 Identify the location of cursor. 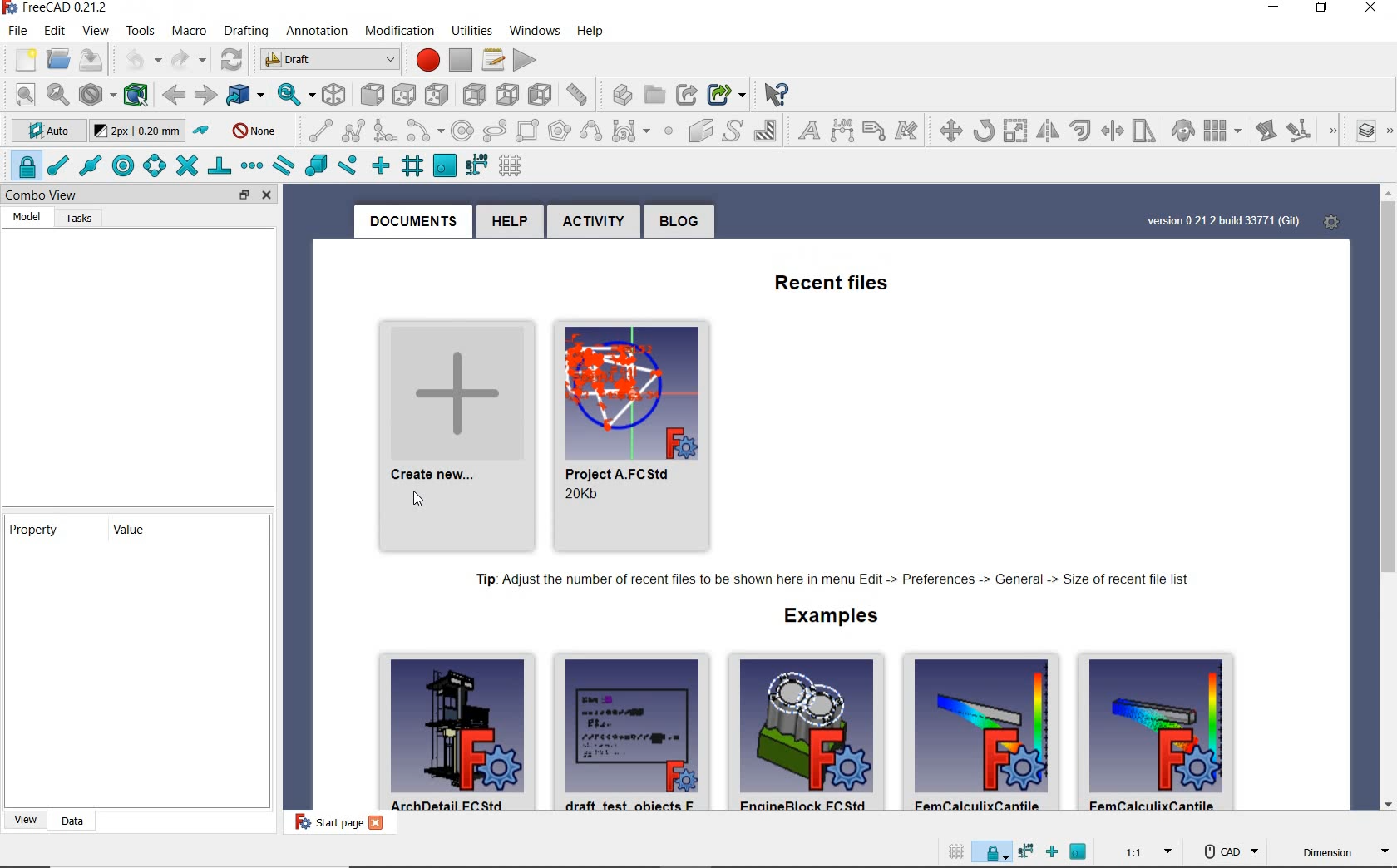
(419, 499).